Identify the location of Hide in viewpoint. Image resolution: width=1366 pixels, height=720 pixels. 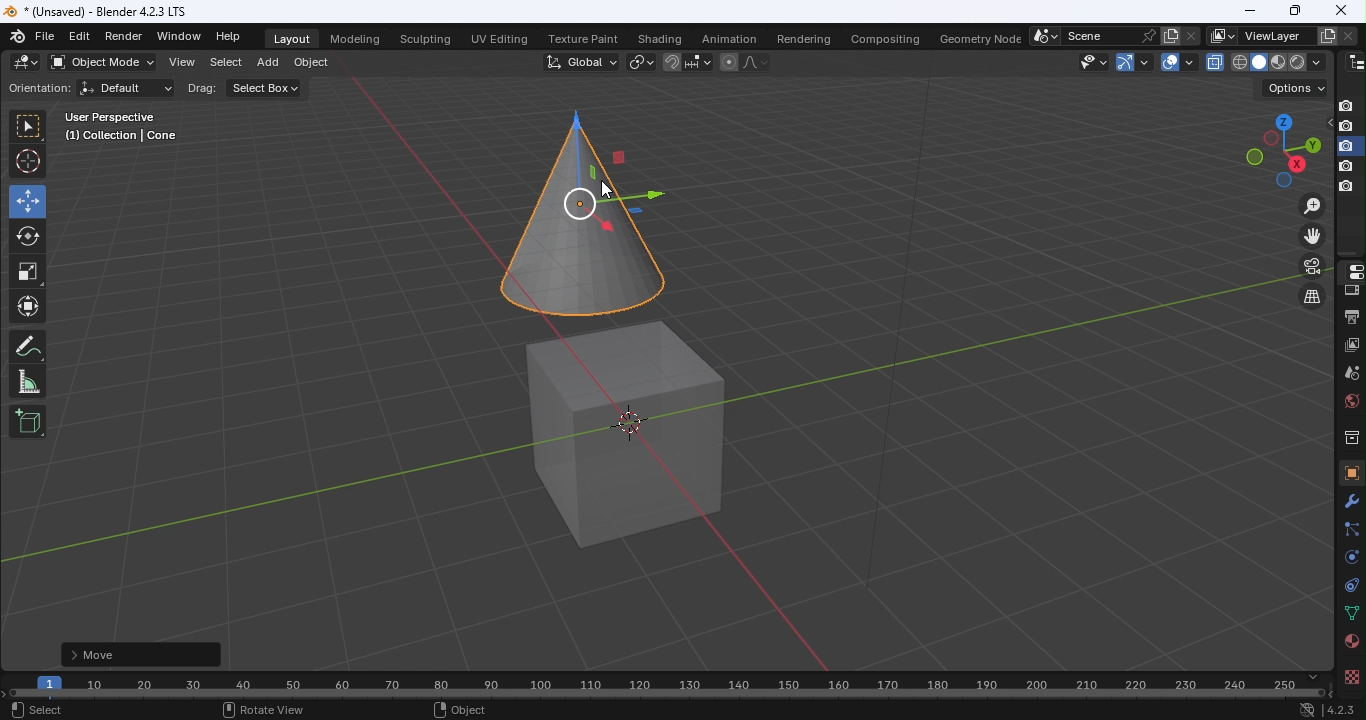
(1325, 124).